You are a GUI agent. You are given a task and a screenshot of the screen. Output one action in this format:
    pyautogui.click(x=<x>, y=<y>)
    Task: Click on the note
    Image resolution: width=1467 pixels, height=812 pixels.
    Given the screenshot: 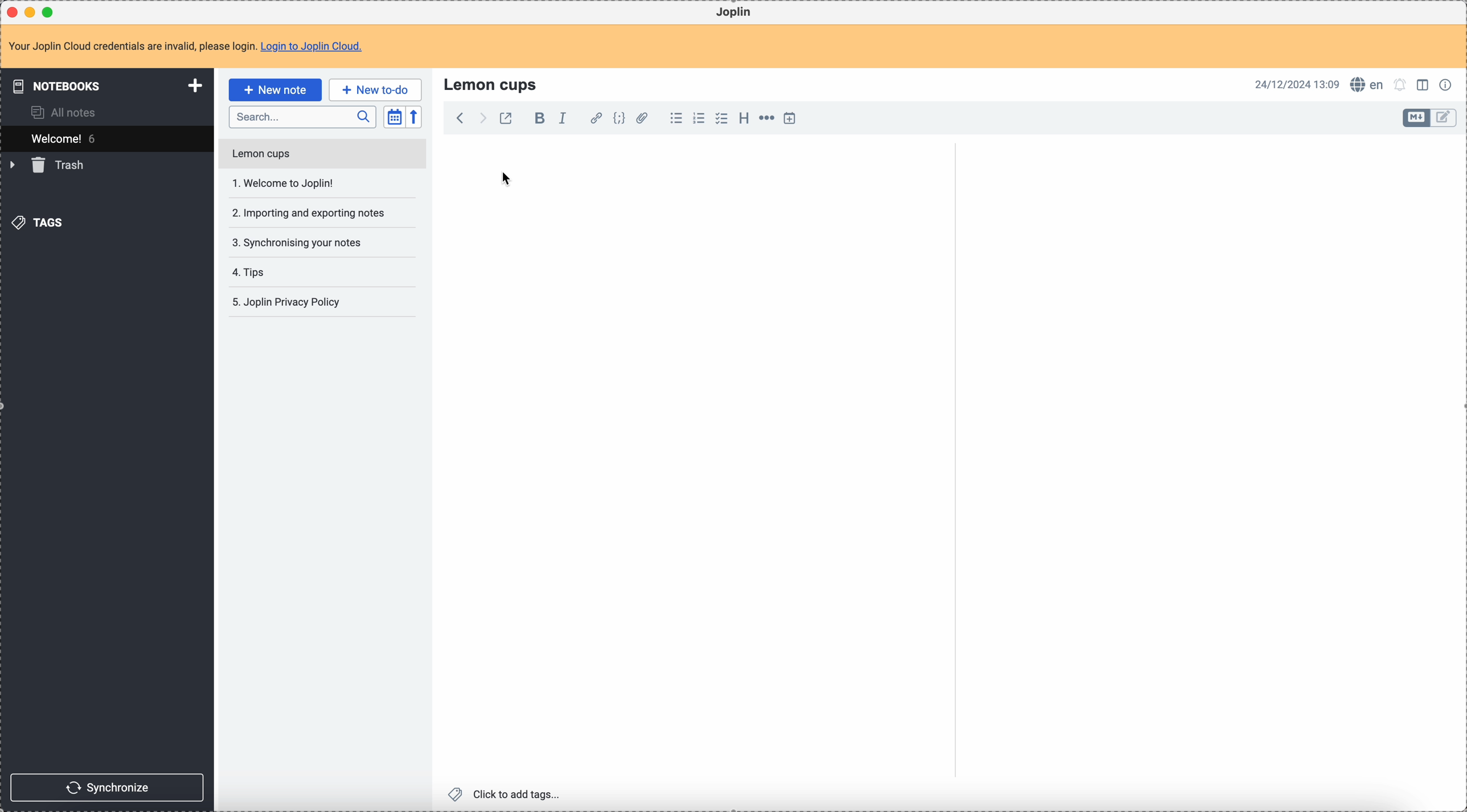 What is the action you would take?
    pyautogui.click(x=192, y=47)
    